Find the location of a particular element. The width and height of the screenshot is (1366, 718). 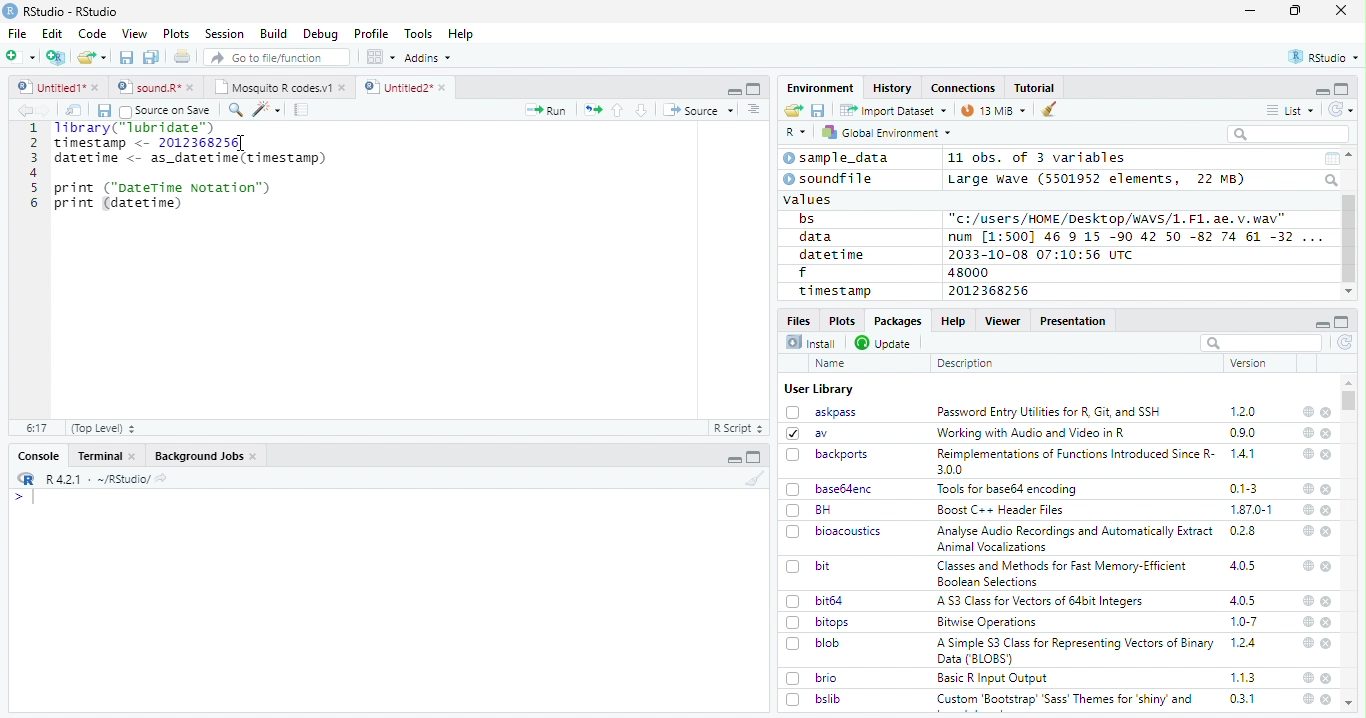

full screen is located at coordinates (1342, 89).